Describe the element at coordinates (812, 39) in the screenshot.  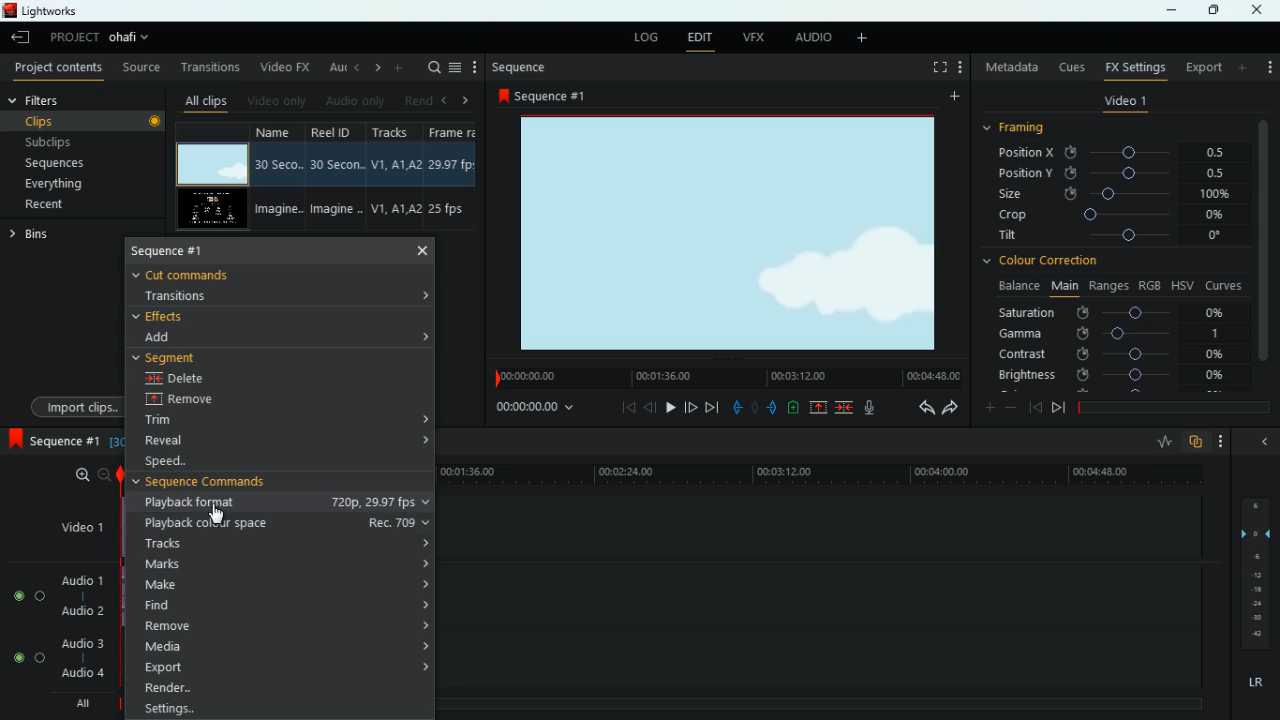
I see `audio` at that location.